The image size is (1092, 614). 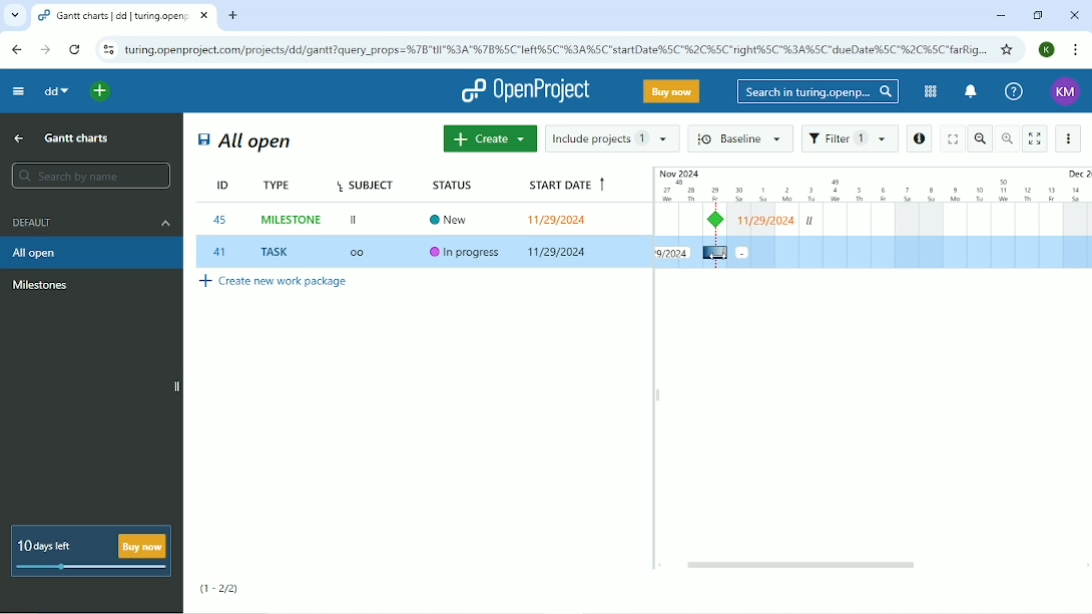 What do you see at coordinates (219, 589) in the screenshot?
I see `(1-2/2)` at bounding box center [219, 589].